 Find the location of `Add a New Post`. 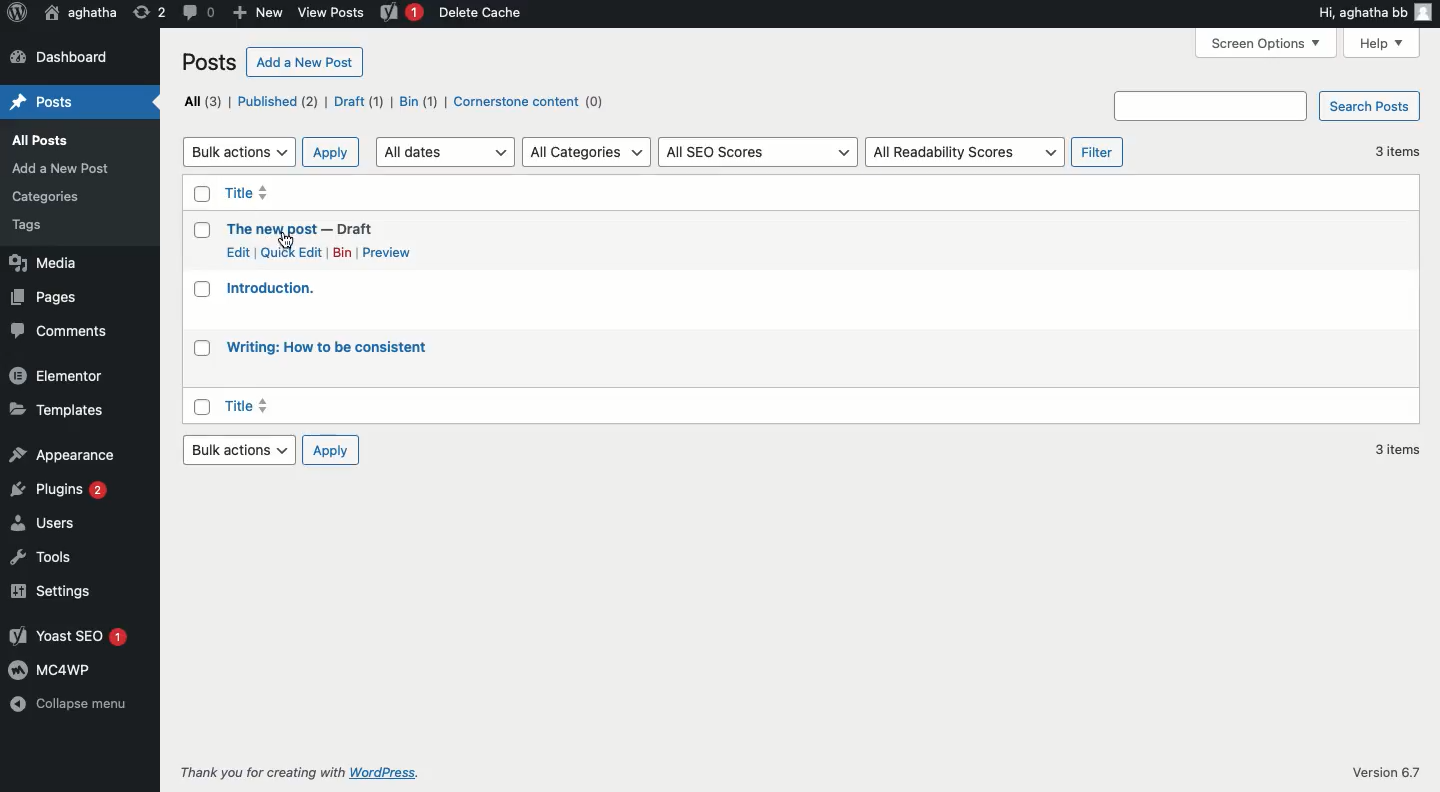

Add a New Post is located at coordinates (61, 169).